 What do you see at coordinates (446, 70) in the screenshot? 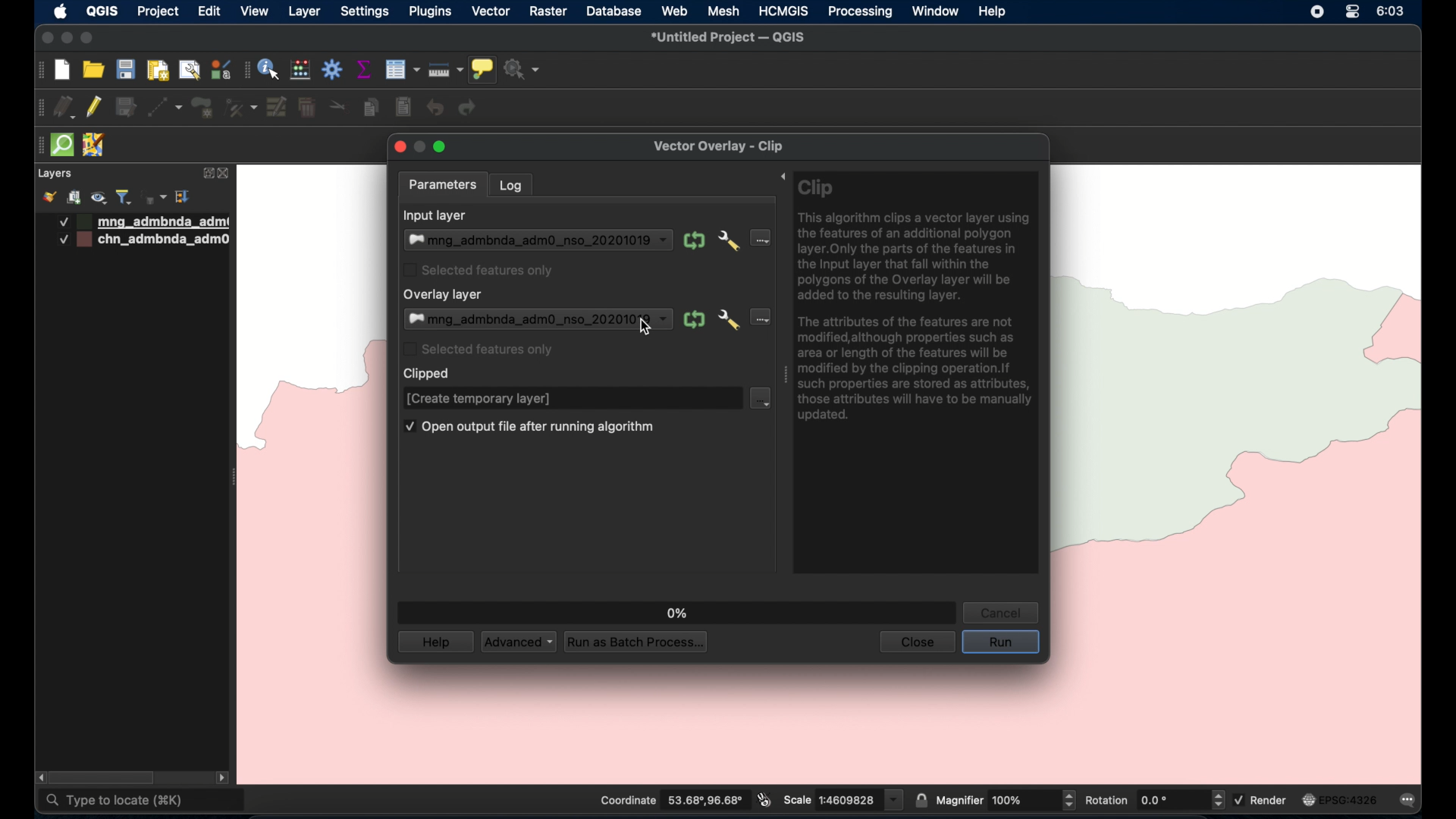
I see `measure line` at bounding box center [446, 70].